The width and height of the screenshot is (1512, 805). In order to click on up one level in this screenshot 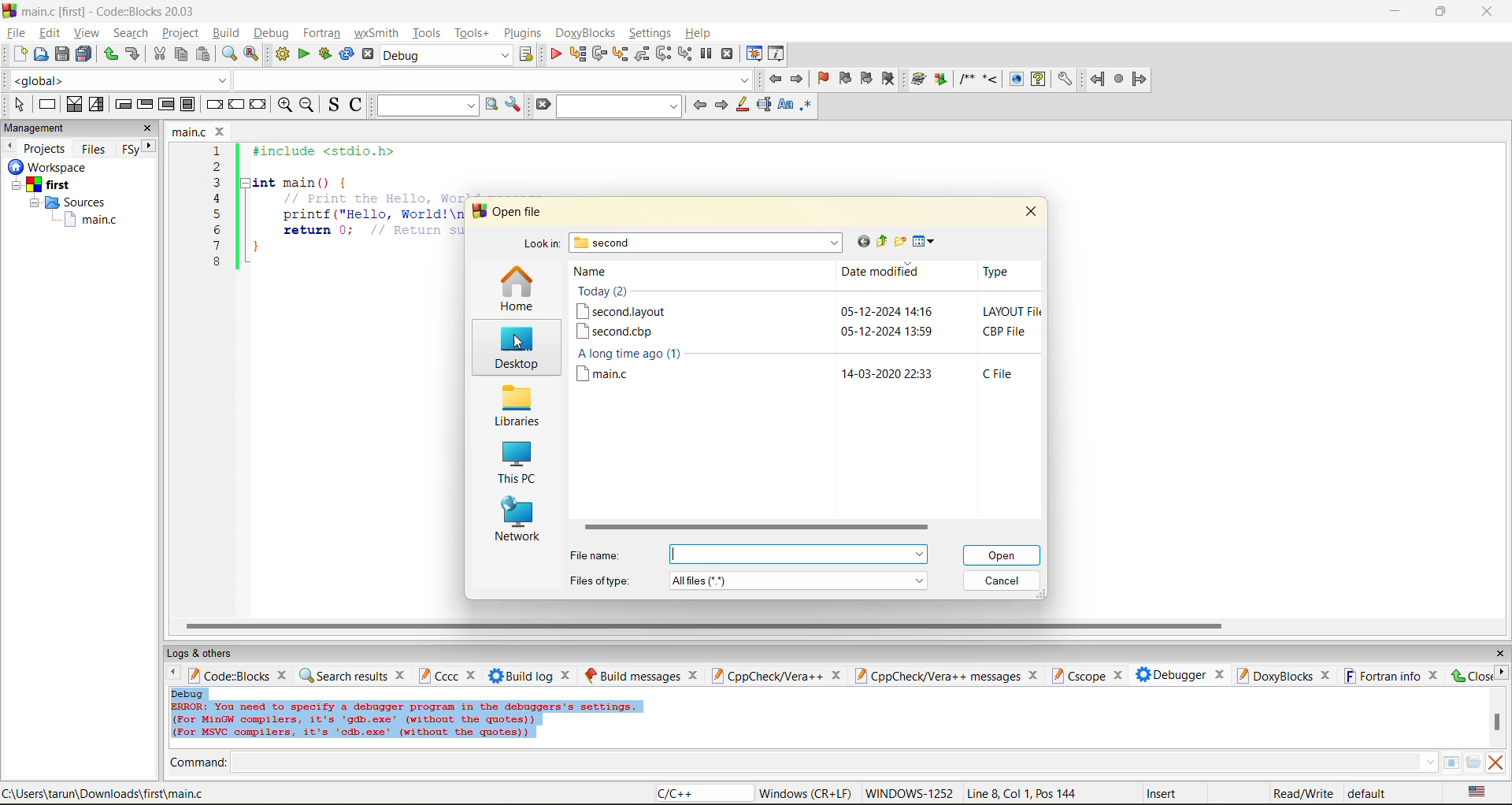, I will do `click(881, 242)`.